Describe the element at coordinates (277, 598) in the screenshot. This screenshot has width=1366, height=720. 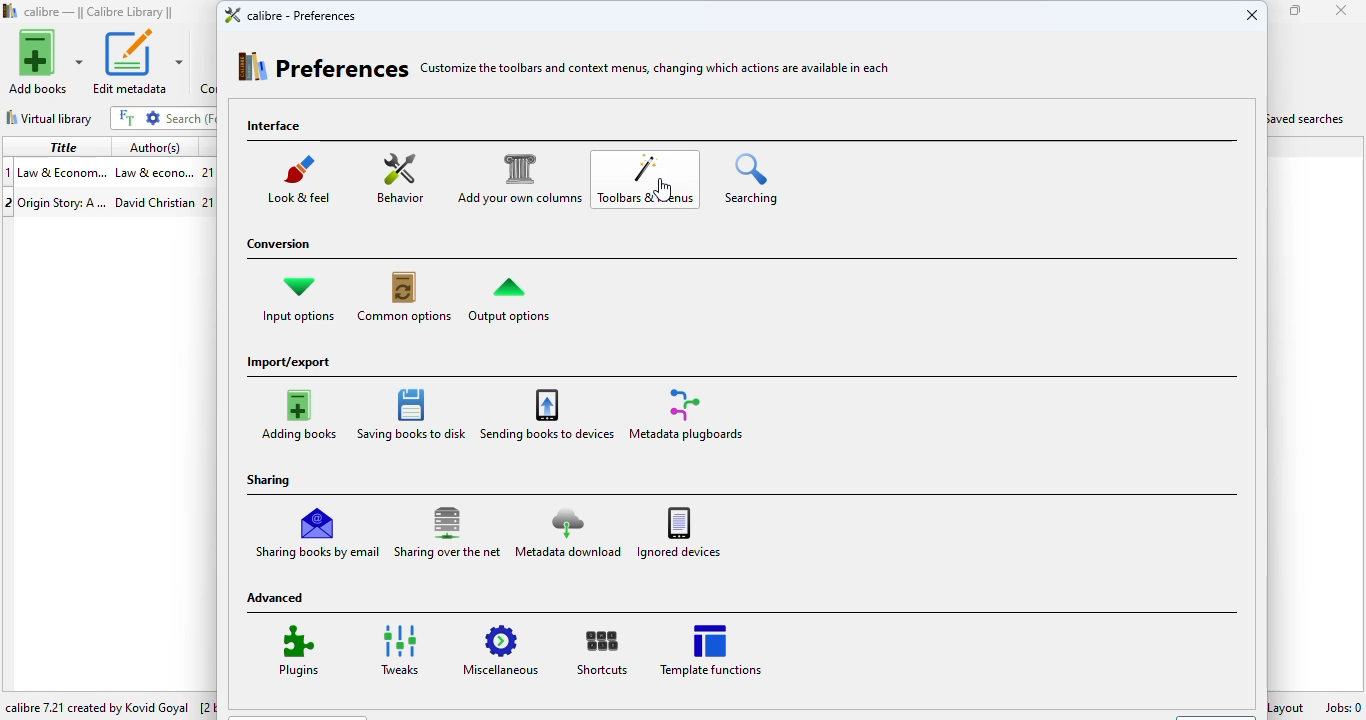
I see `advanced` at that location.